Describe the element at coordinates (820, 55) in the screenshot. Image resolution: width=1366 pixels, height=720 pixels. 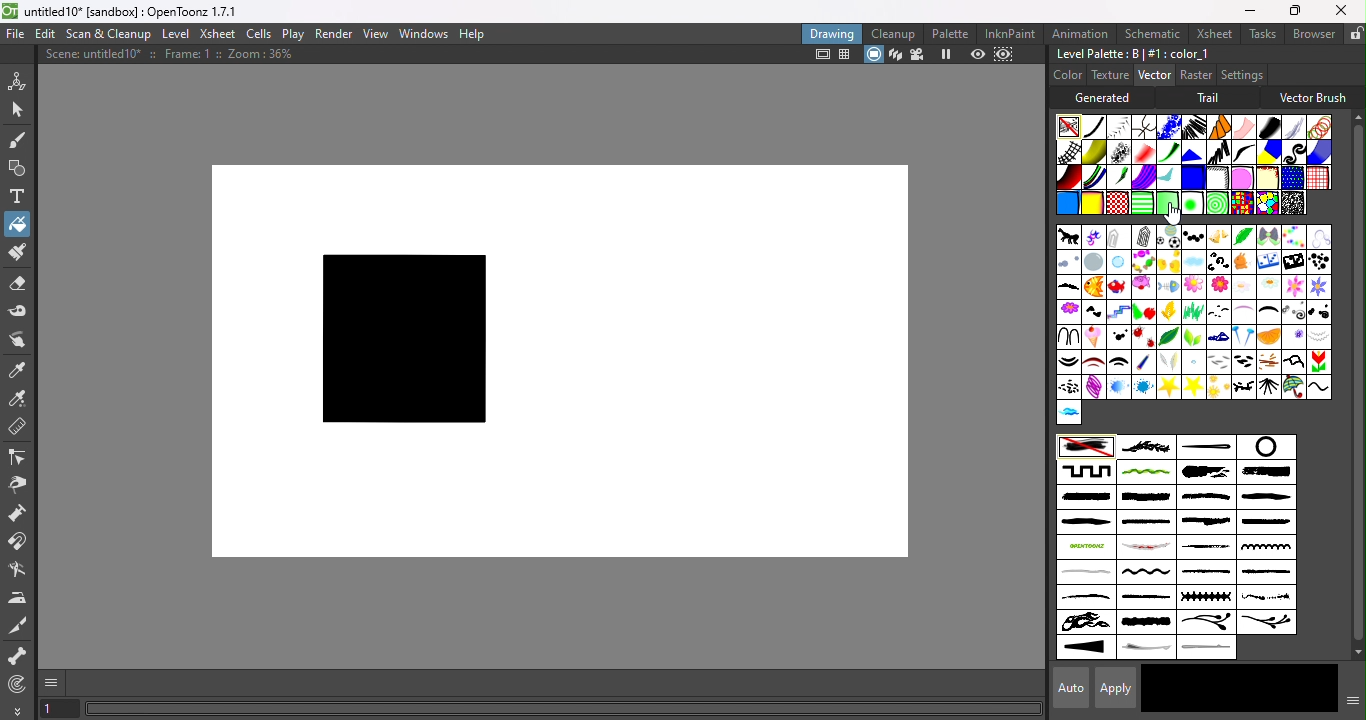
I see `Safe area` at that location.